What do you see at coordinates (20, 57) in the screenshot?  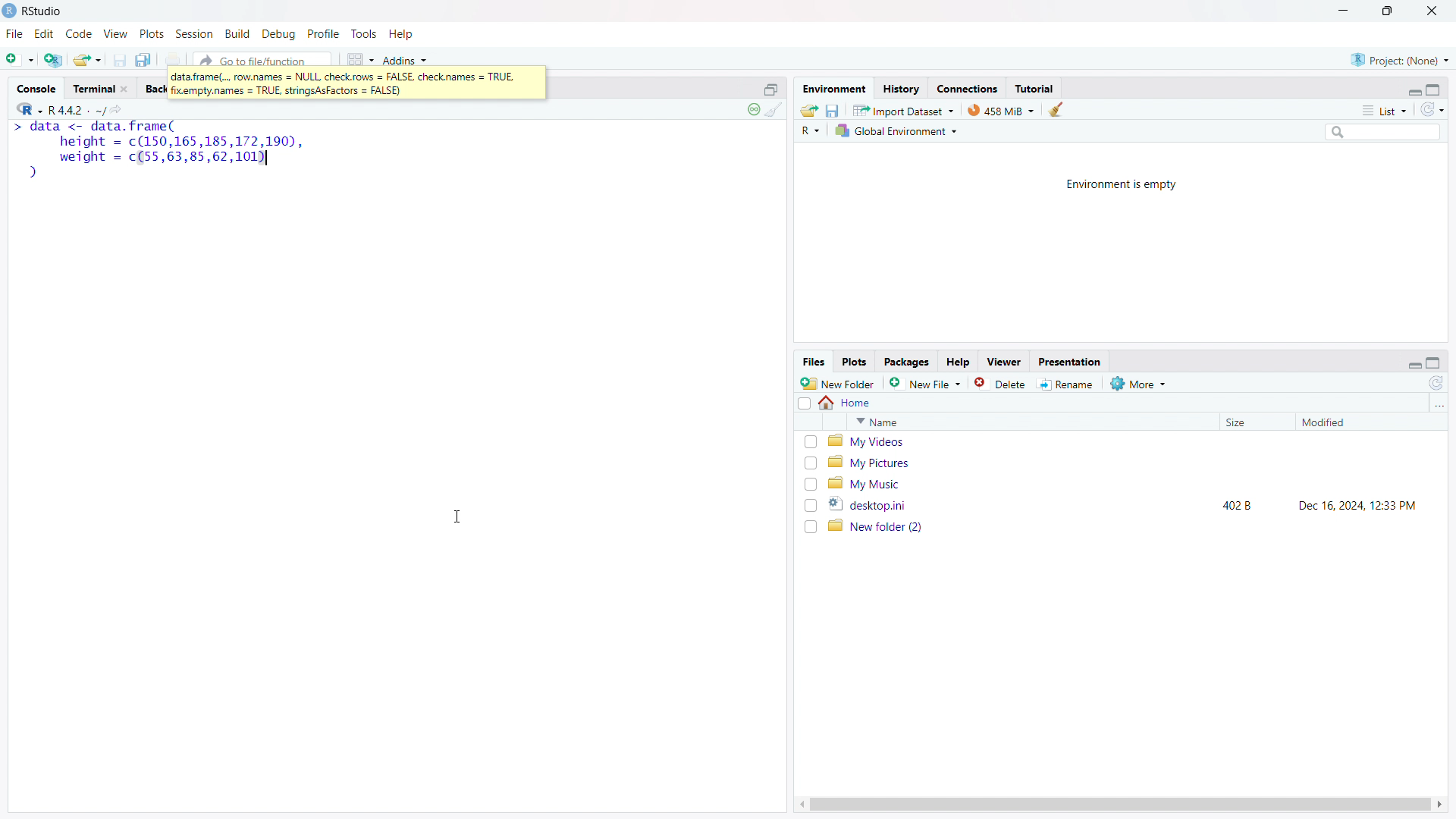 I see `new file` at bounding box center [20, 57].